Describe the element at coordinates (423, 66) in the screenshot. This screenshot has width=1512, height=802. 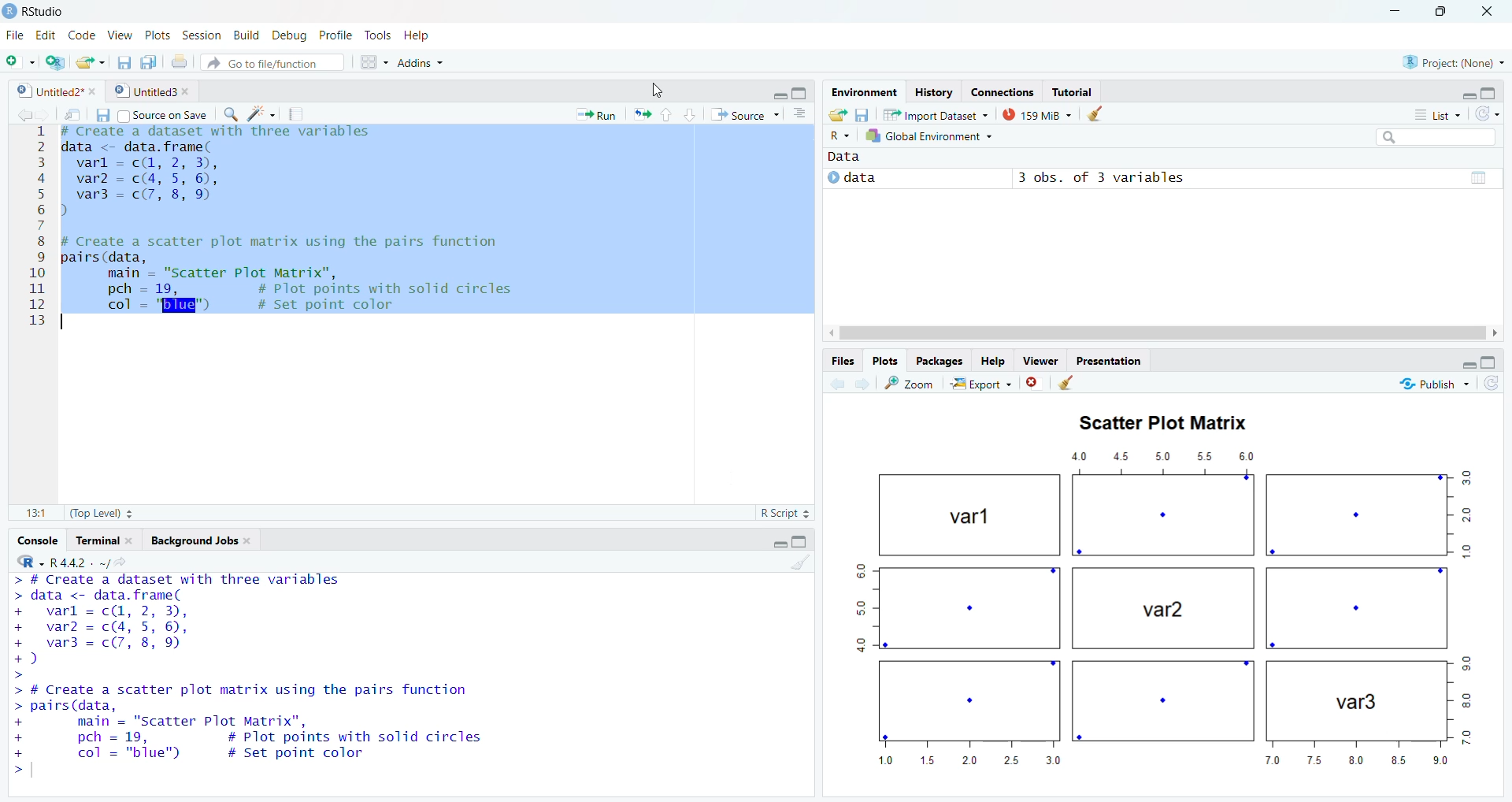
I see `Addins ~` at that location.